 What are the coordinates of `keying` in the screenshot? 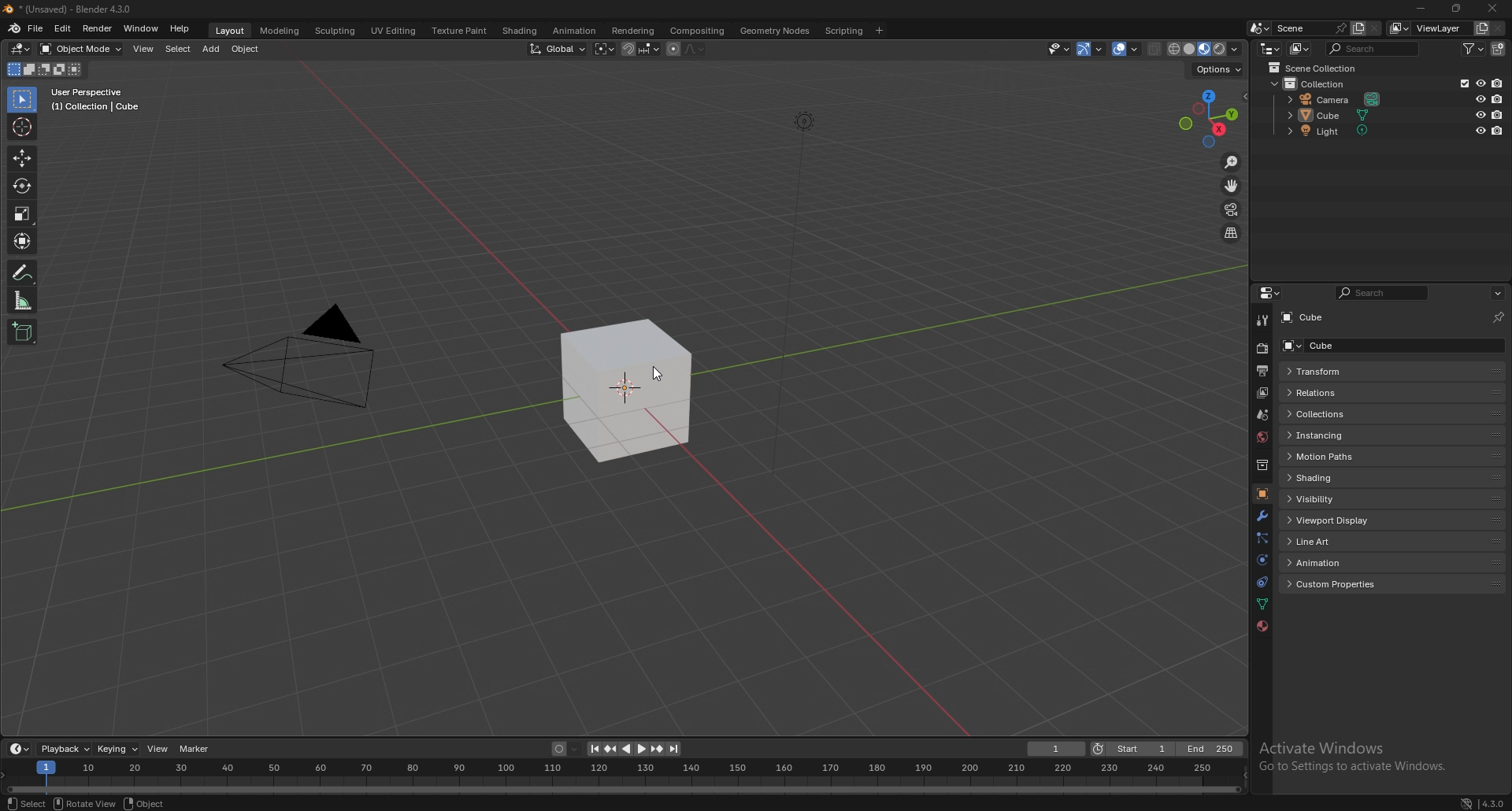 It's located at (117, 749).